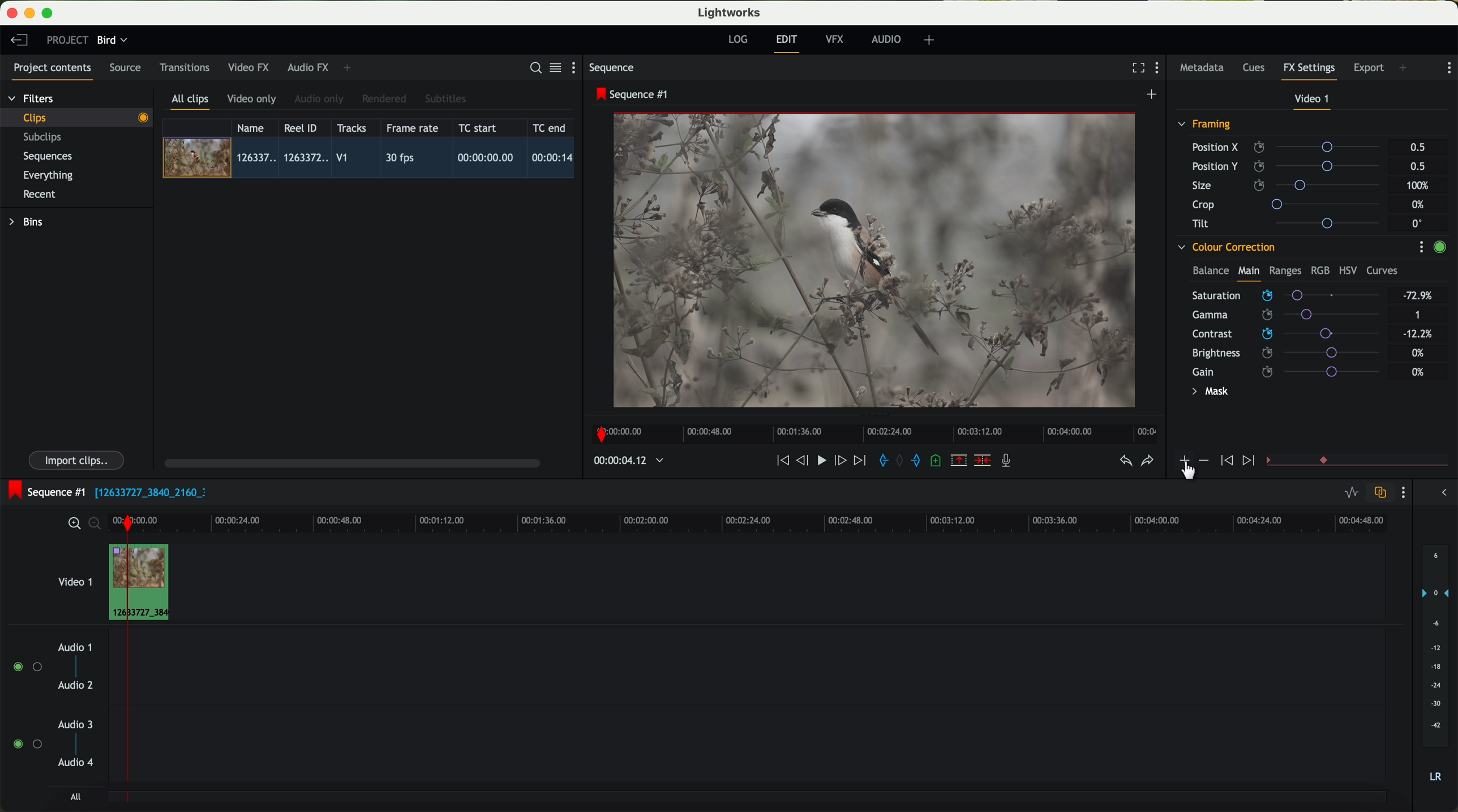 This screenshot has width=1458, height=812. I want to click on clips, so click(77, 117).